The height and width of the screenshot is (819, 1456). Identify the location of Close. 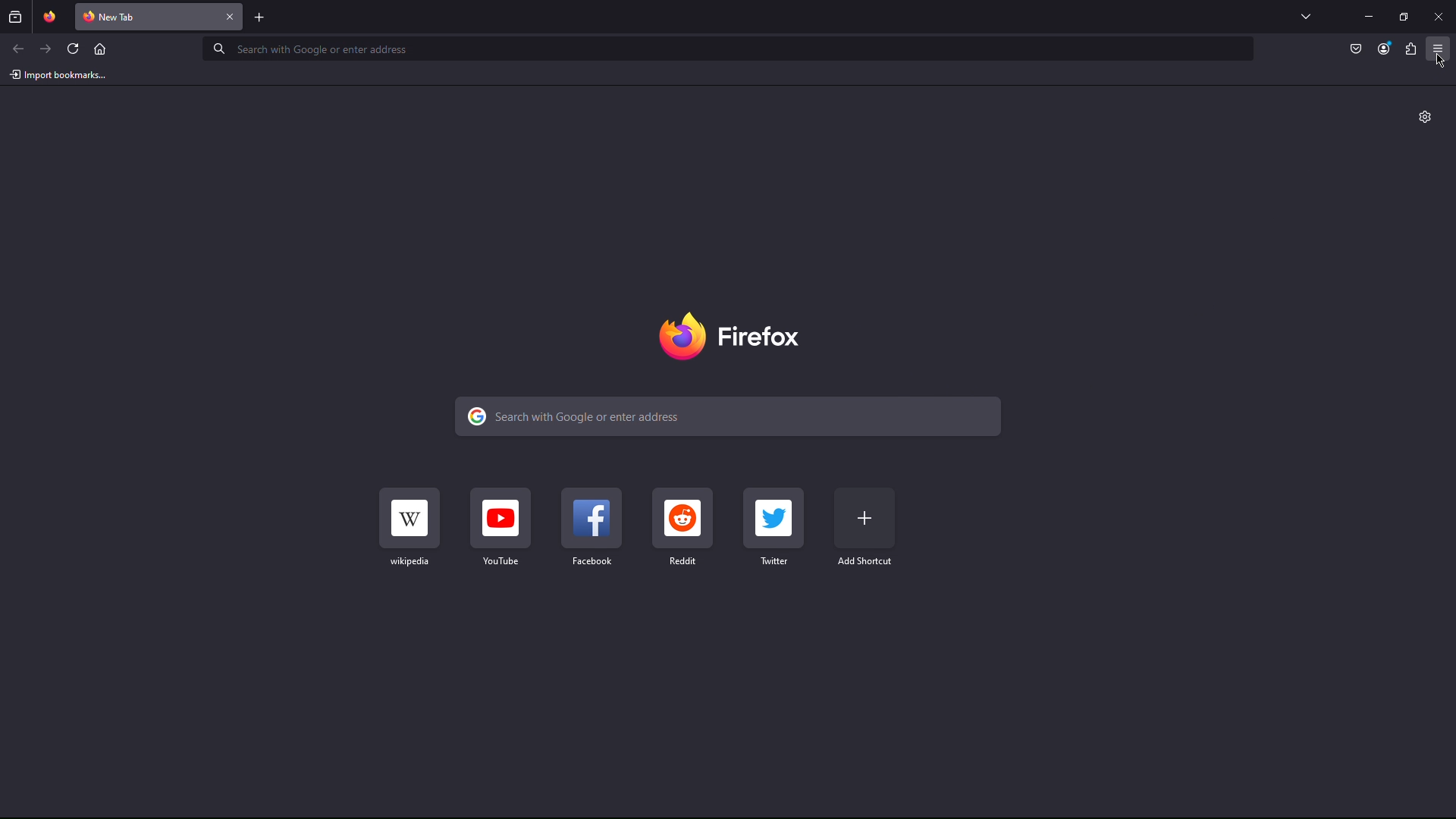
(1438, 16).